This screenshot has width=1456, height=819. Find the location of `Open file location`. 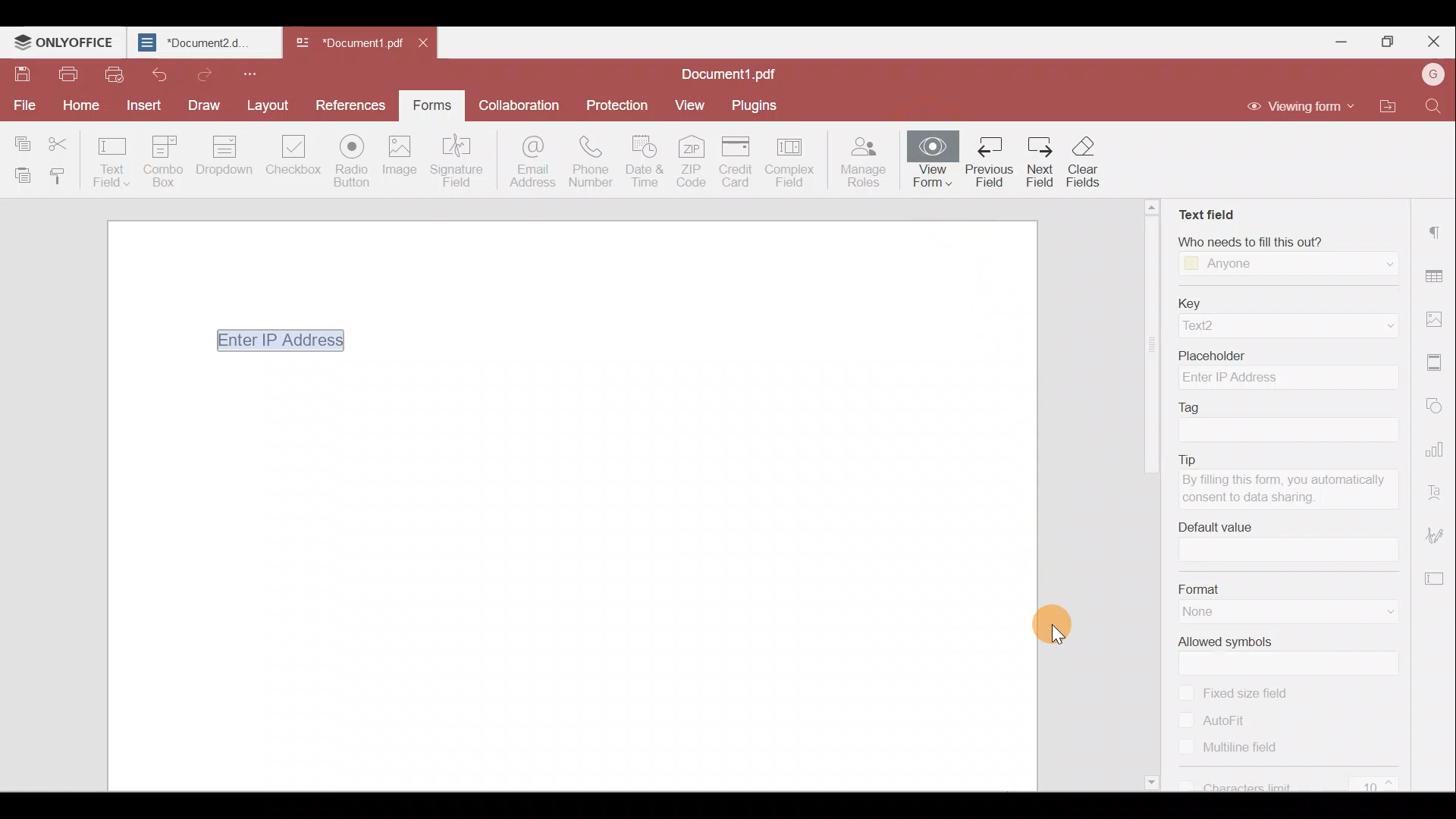

Open file location is located at coordinates (1383, 105).